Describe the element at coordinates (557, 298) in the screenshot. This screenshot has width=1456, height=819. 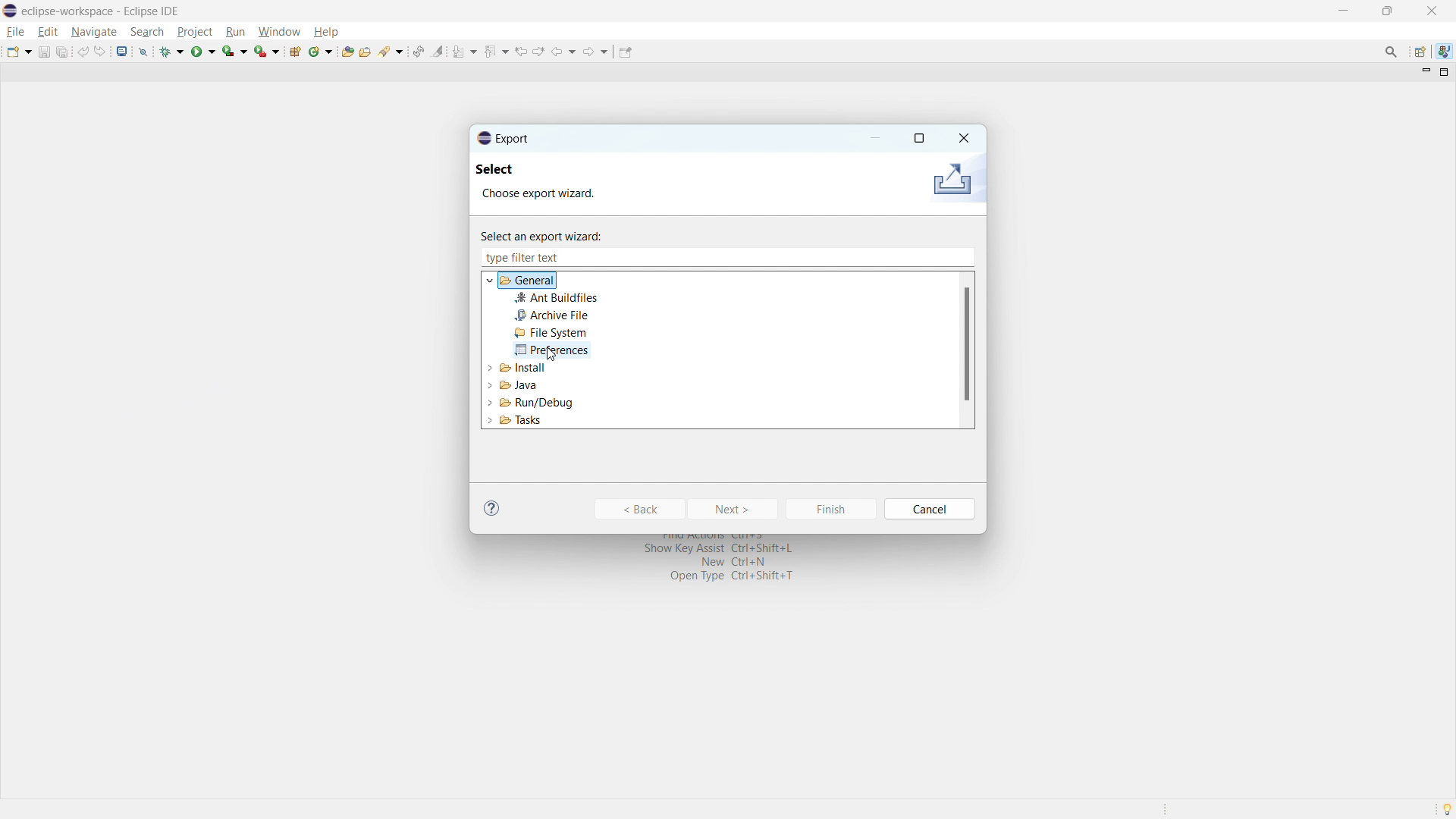
I see `ant buildfiles` at that location.